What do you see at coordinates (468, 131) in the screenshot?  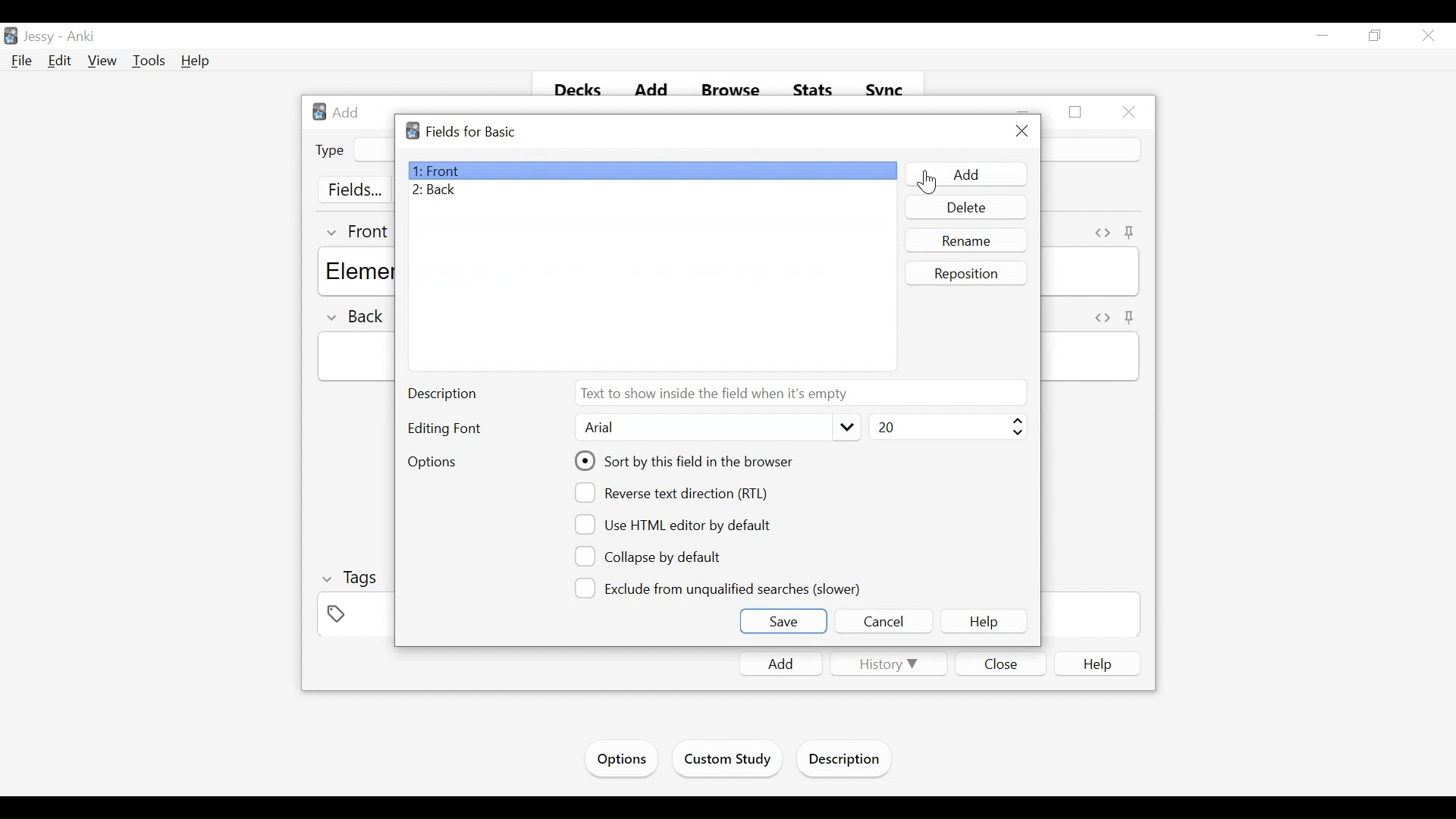 I see `Fields for Basic` at bounding box center [468, 131].